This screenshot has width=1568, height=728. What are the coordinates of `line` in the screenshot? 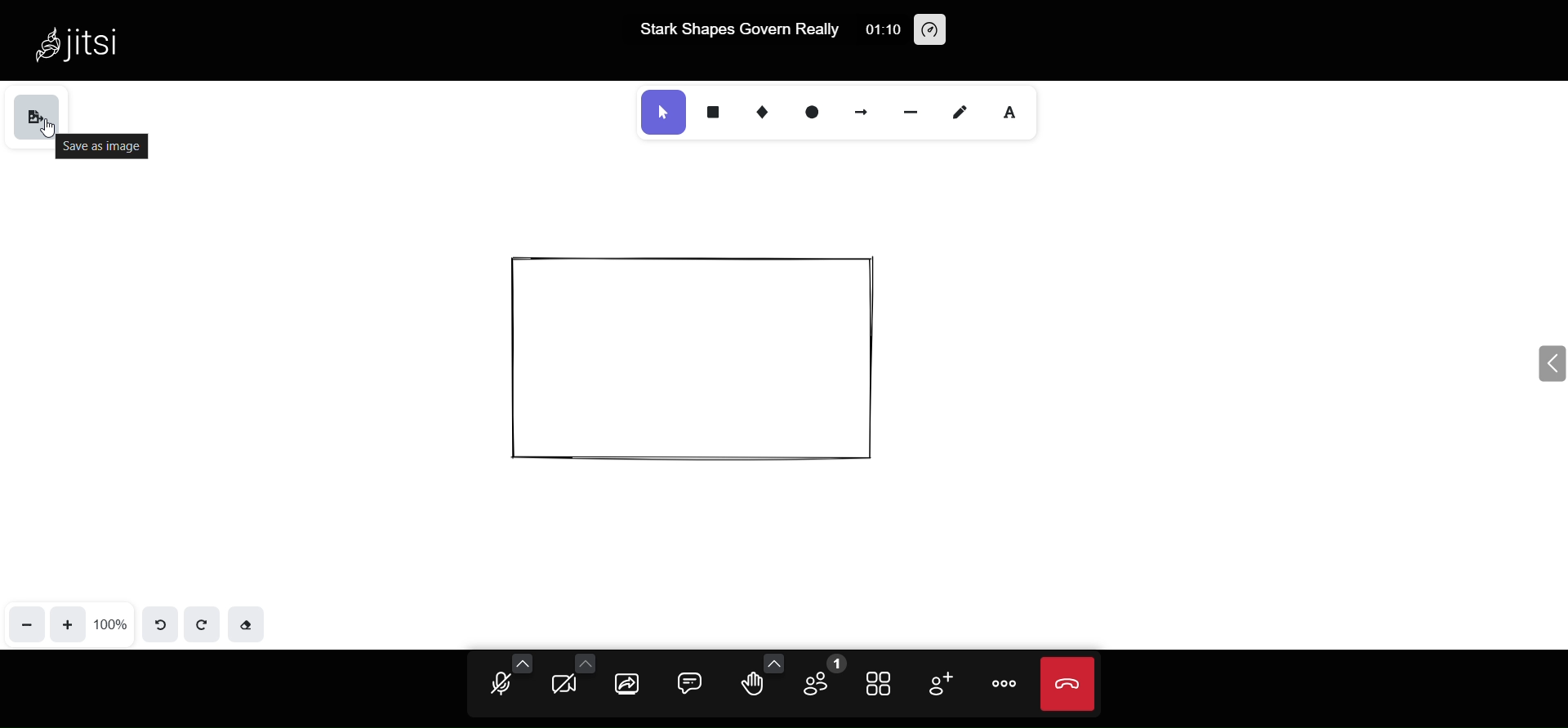 It's located at (911, 109).